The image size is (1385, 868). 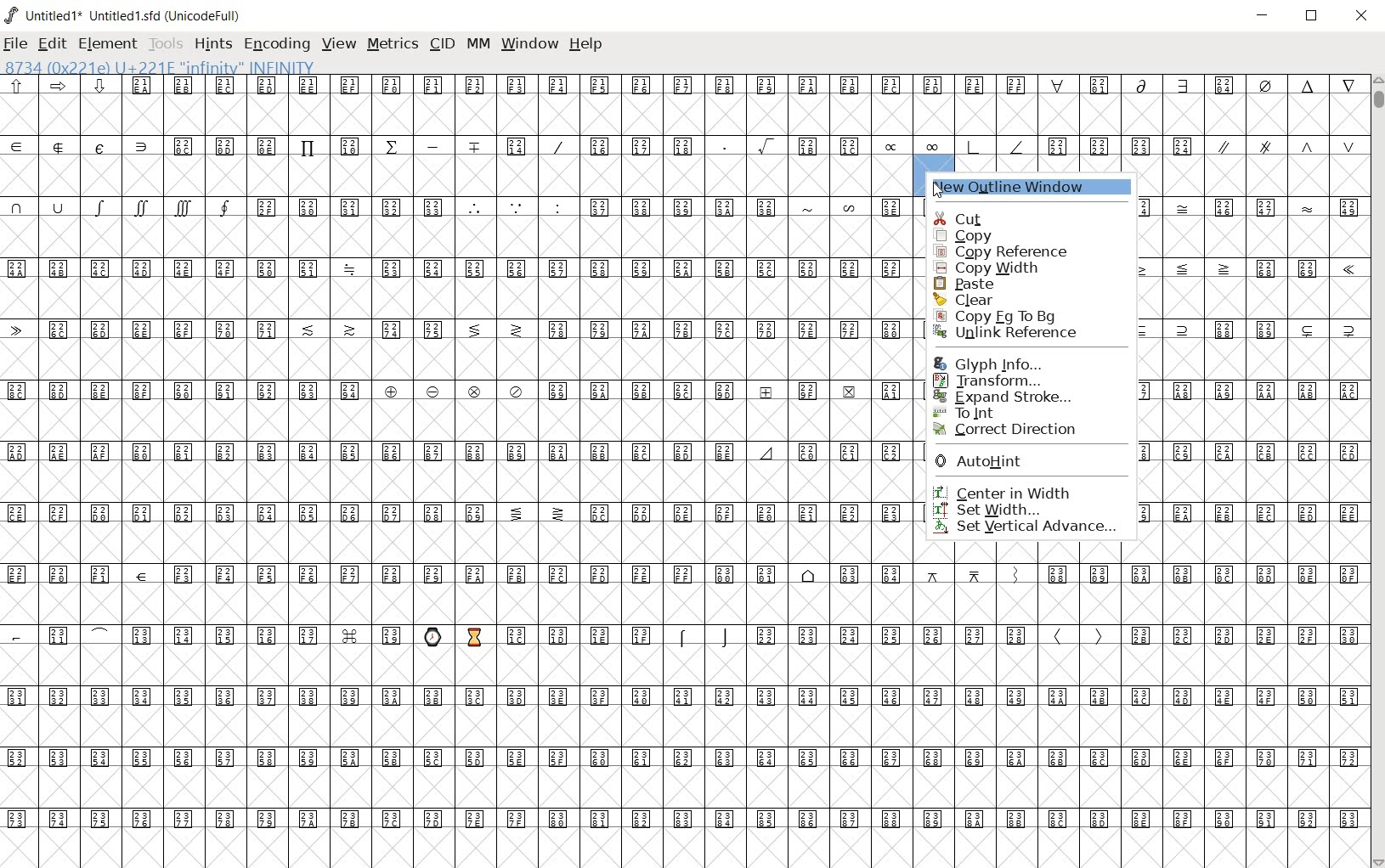 I want to click on cid, so click(x=442, y=45).